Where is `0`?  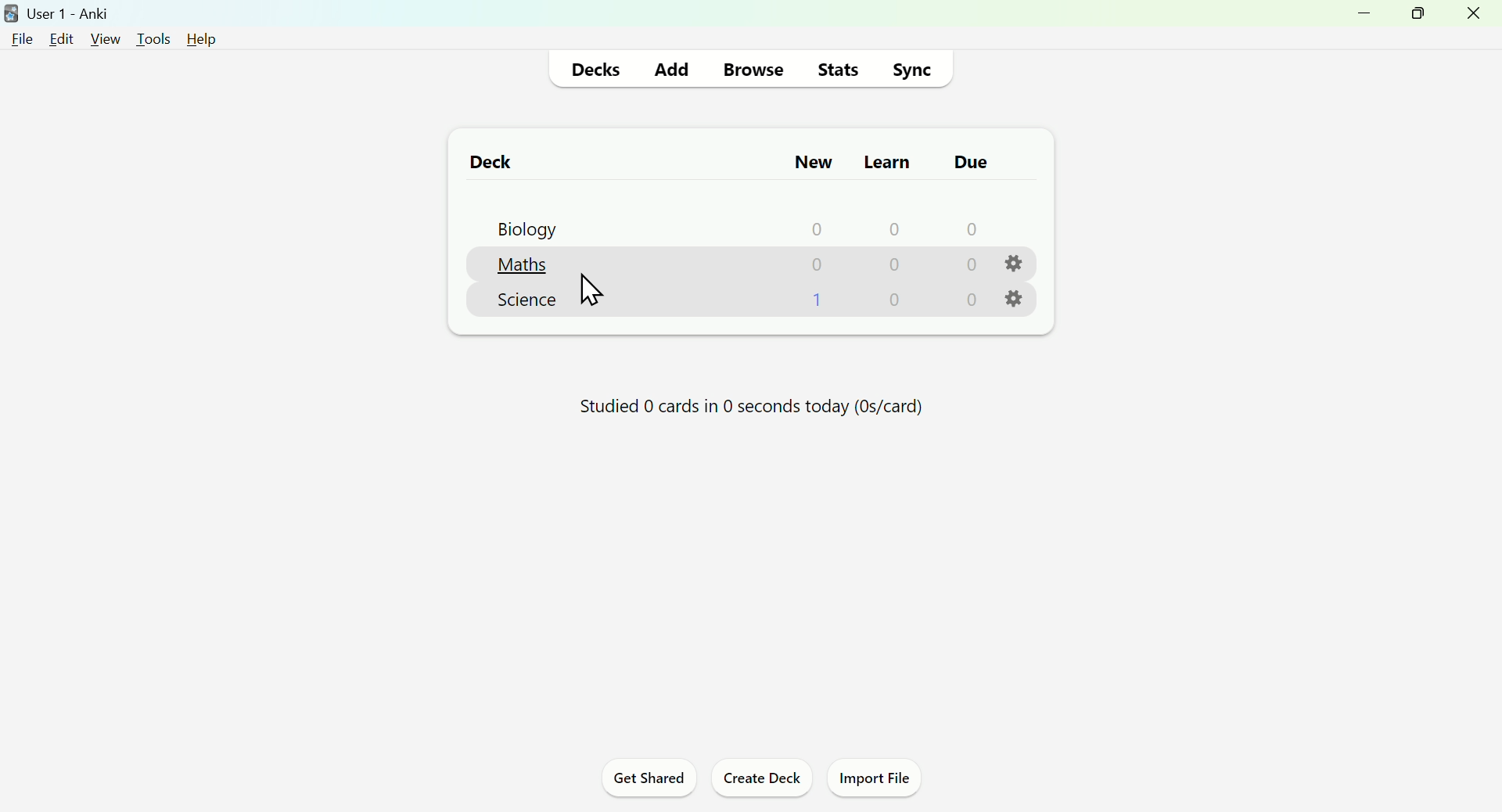 0 is located at coordinates (967, 229).